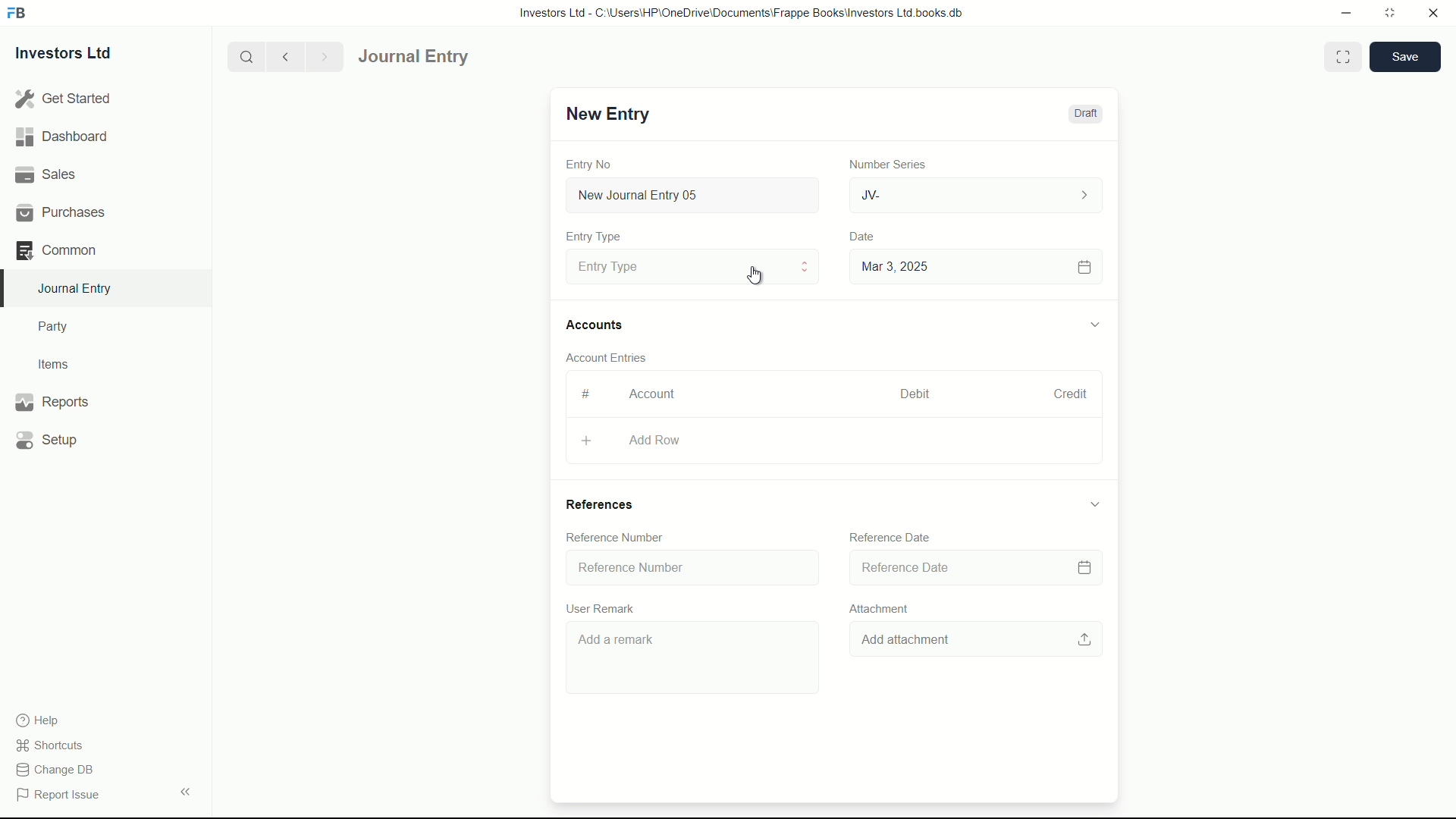 The height and width of the screenshot is (819, 1456). Describe the element at coordinates (1064, 394) in the screenshot. I see `Credit` at that location.